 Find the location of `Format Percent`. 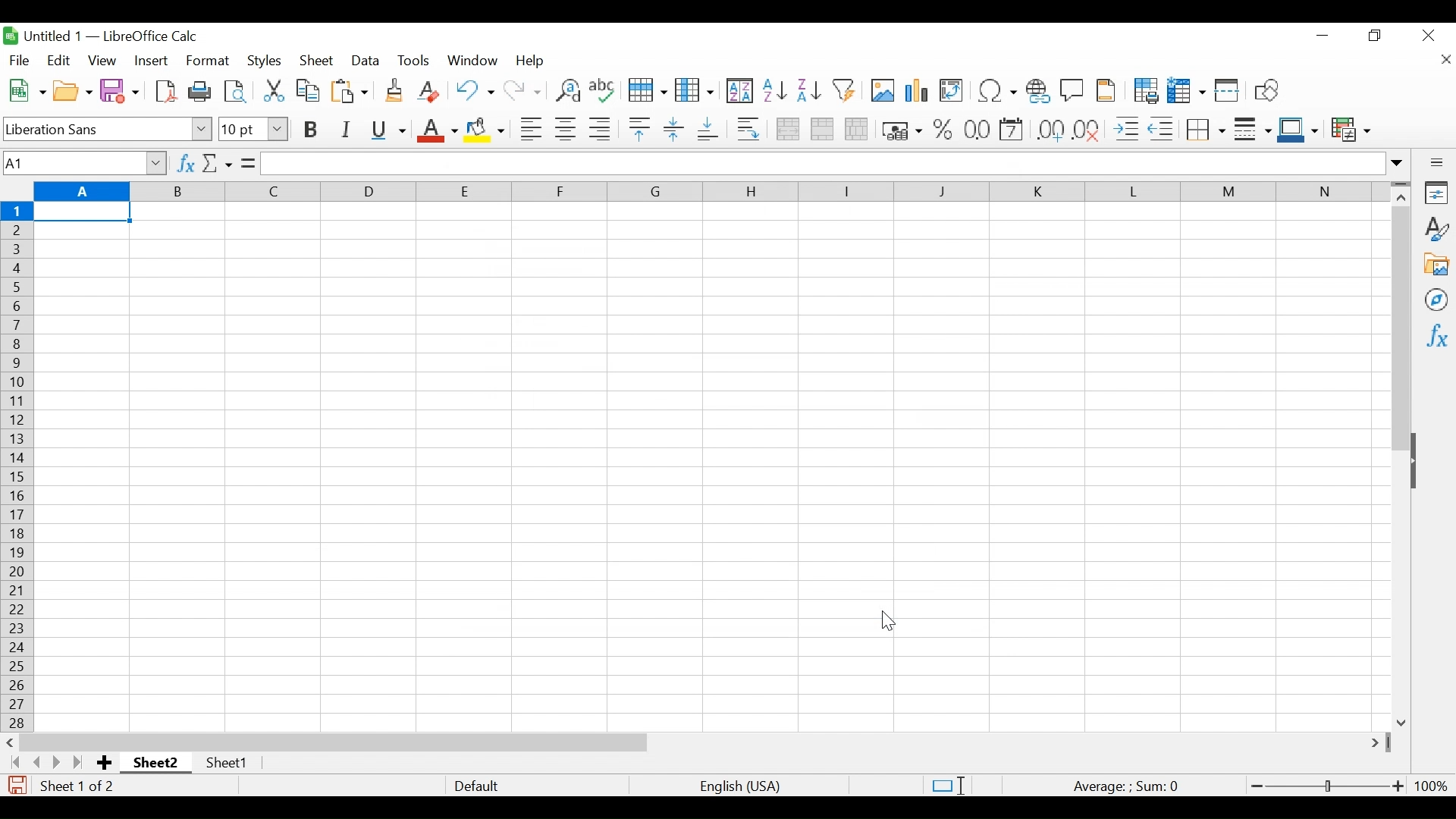

Format Percent is located at coordinates (943, 130).